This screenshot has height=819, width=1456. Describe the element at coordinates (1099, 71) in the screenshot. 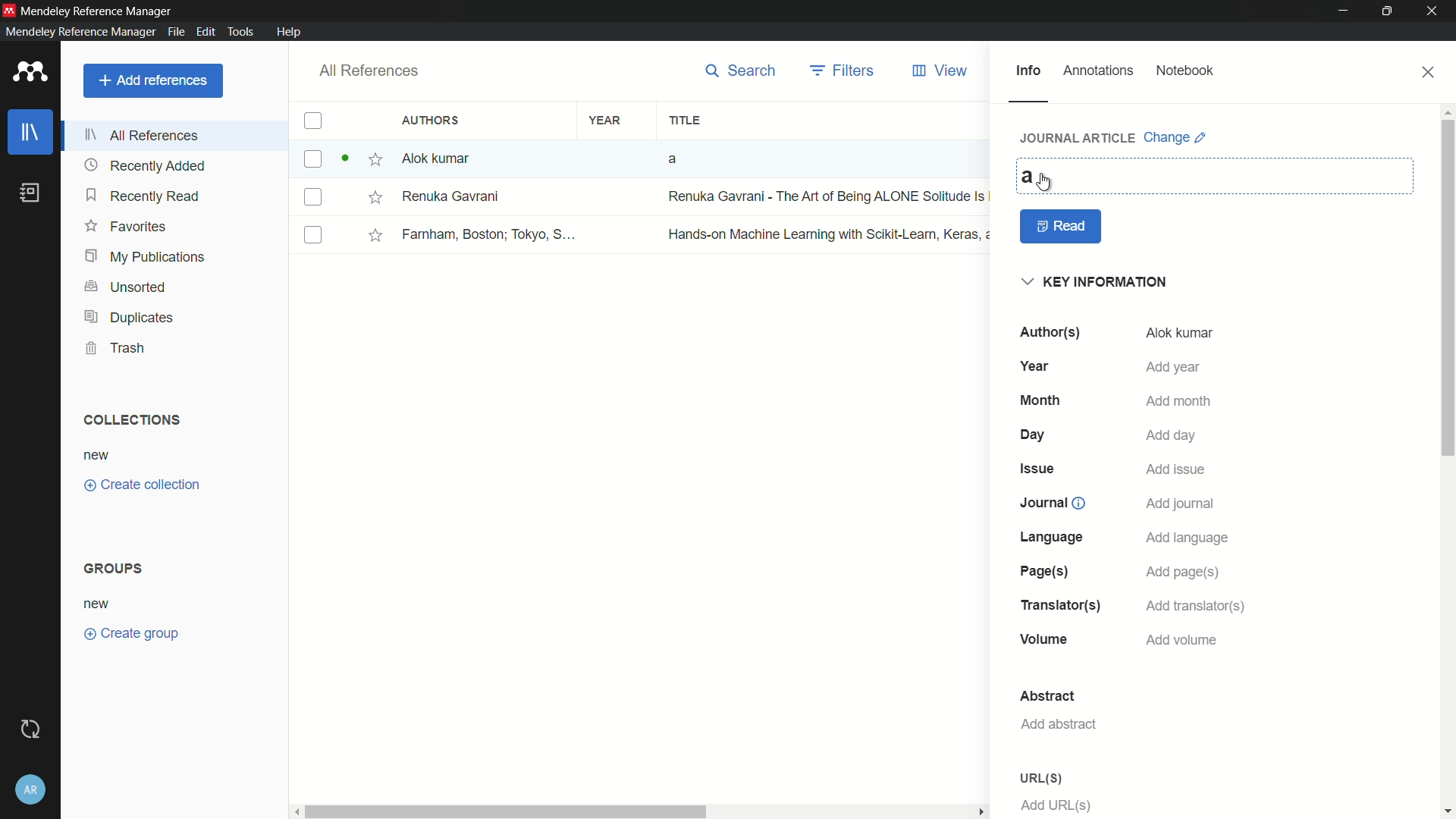

I see `annotations` at that location.